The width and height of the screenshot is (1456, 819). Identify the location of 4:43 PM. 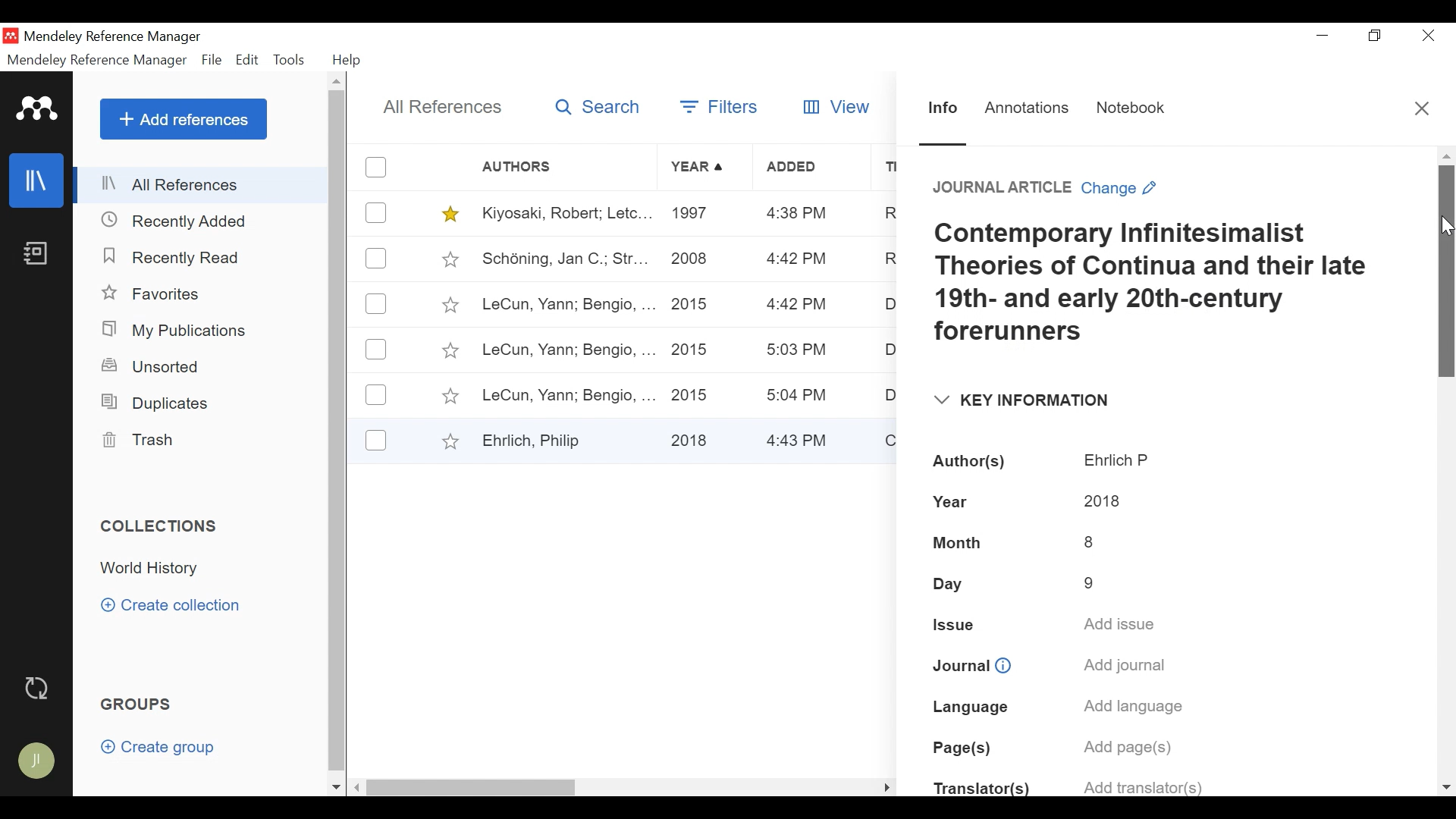
(802, 439).